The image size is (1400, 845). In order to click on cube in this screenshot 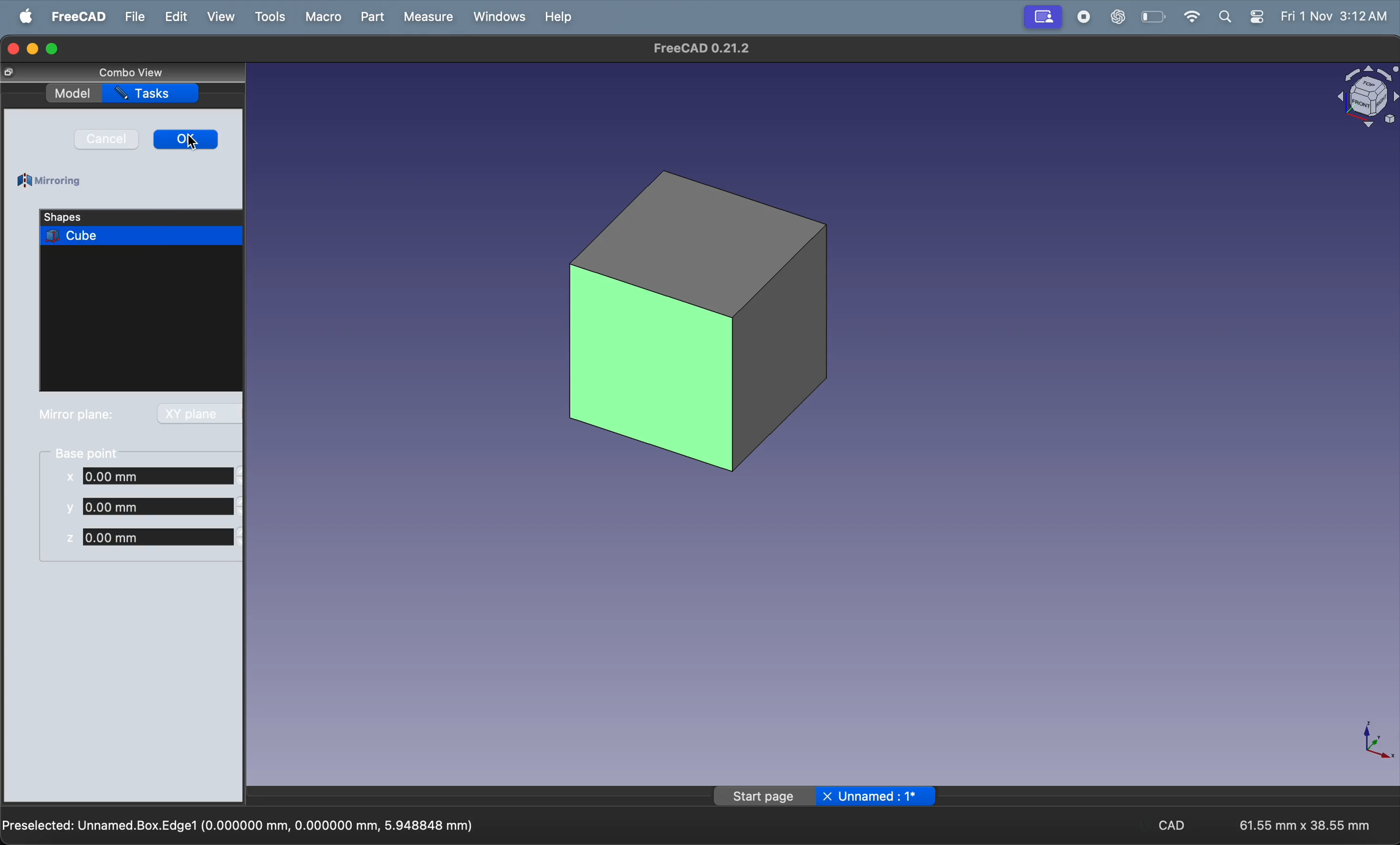, I will do `click(698, 320)`.